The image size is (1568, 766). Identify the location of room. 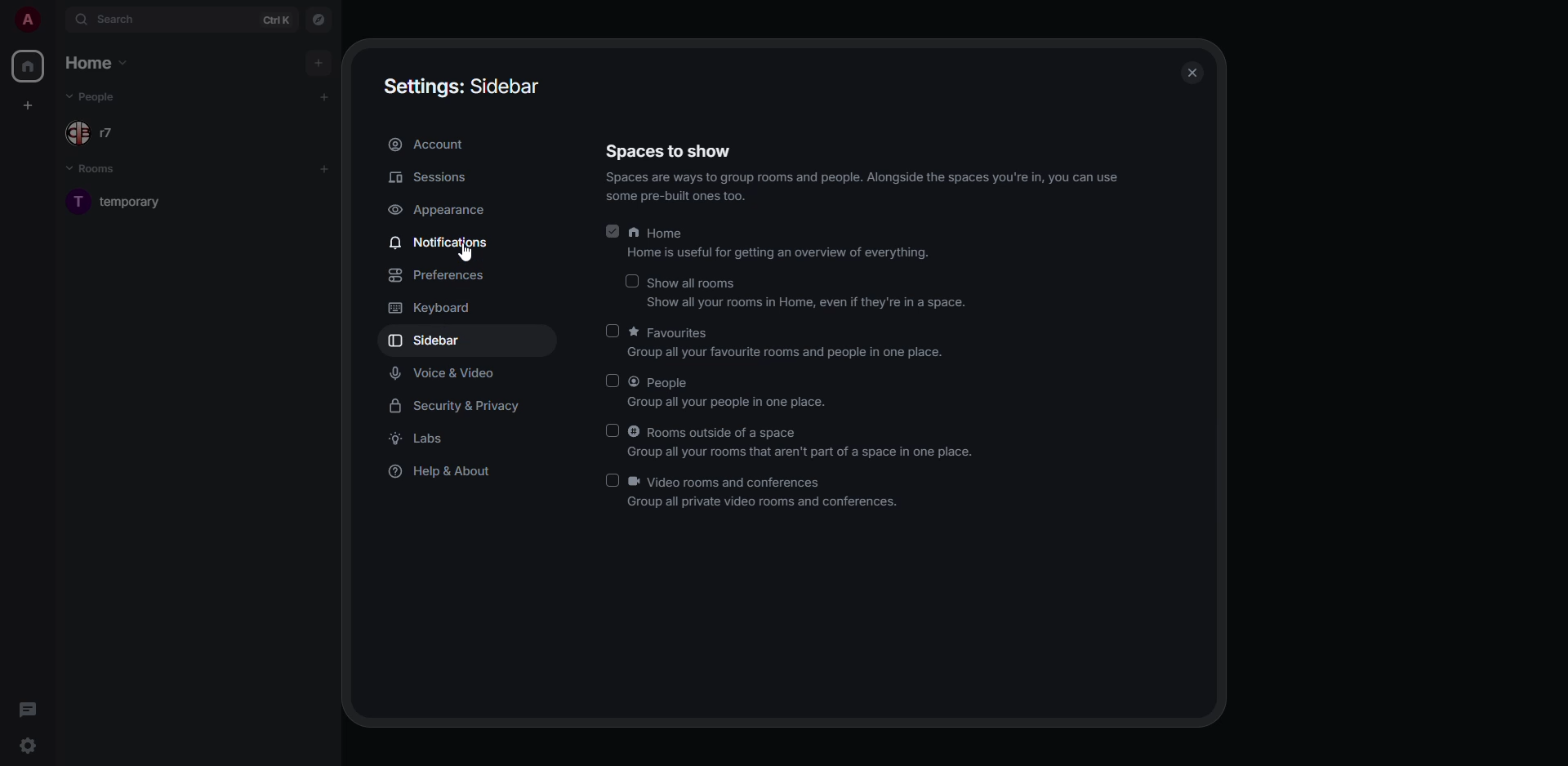
(120, 202).